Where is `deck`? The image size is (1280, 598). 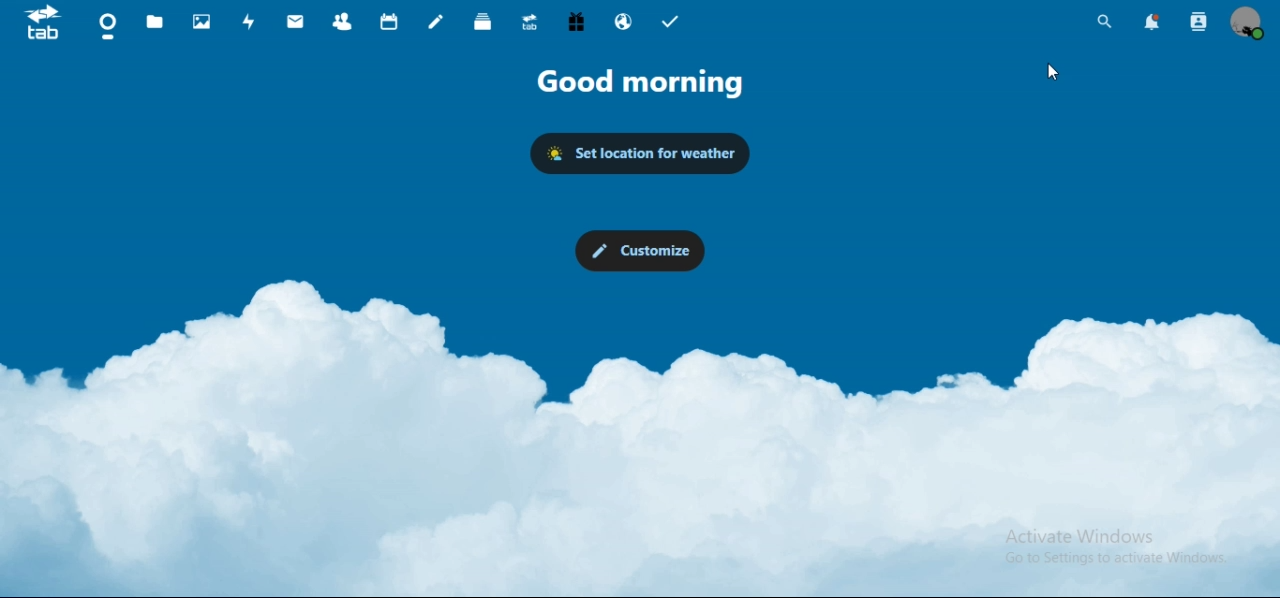 deck is located at coordinates (486, 22).